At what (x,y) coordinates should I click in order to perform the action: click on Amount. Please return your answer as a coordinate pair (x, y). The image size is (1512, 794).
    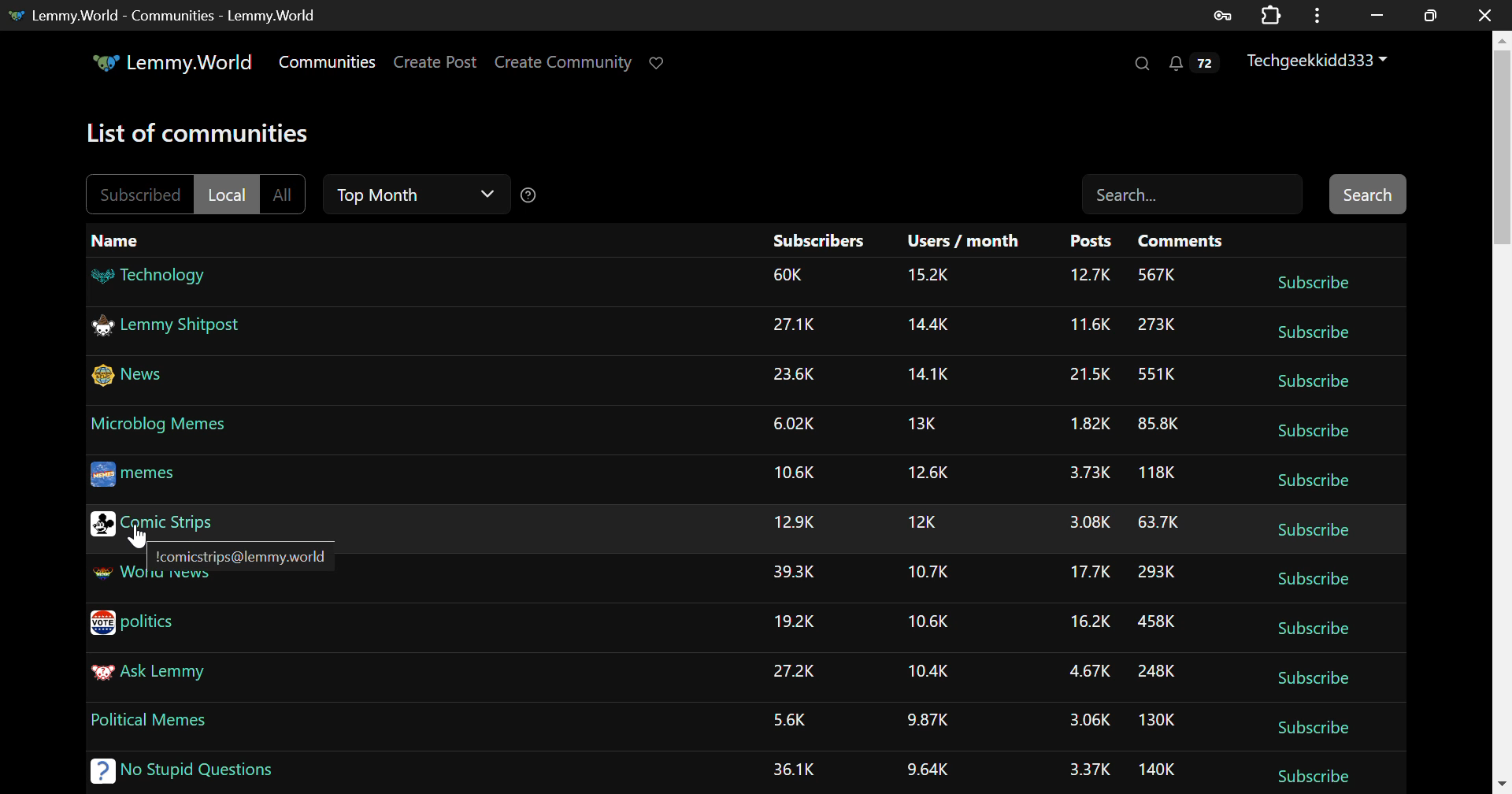
    Looking at the image, I should click on (794, 422).